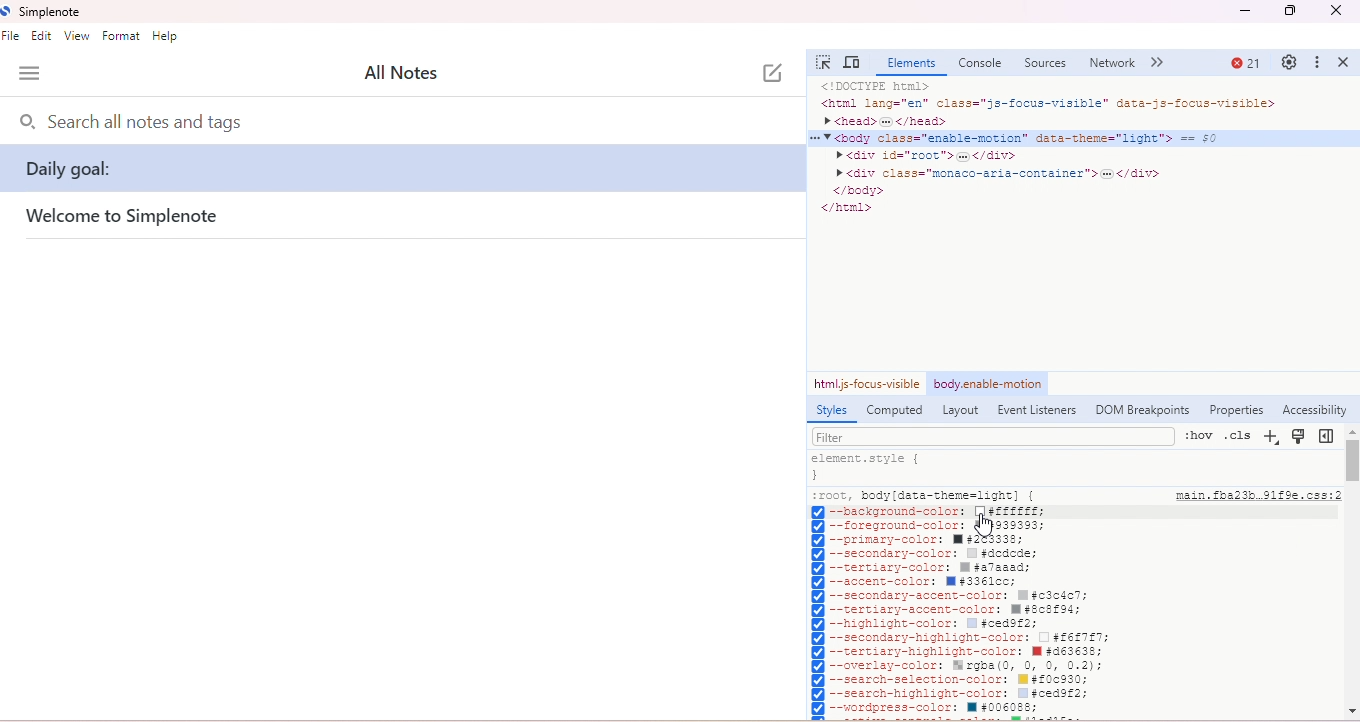  I want to click on more tabs, so click(1161, 63).